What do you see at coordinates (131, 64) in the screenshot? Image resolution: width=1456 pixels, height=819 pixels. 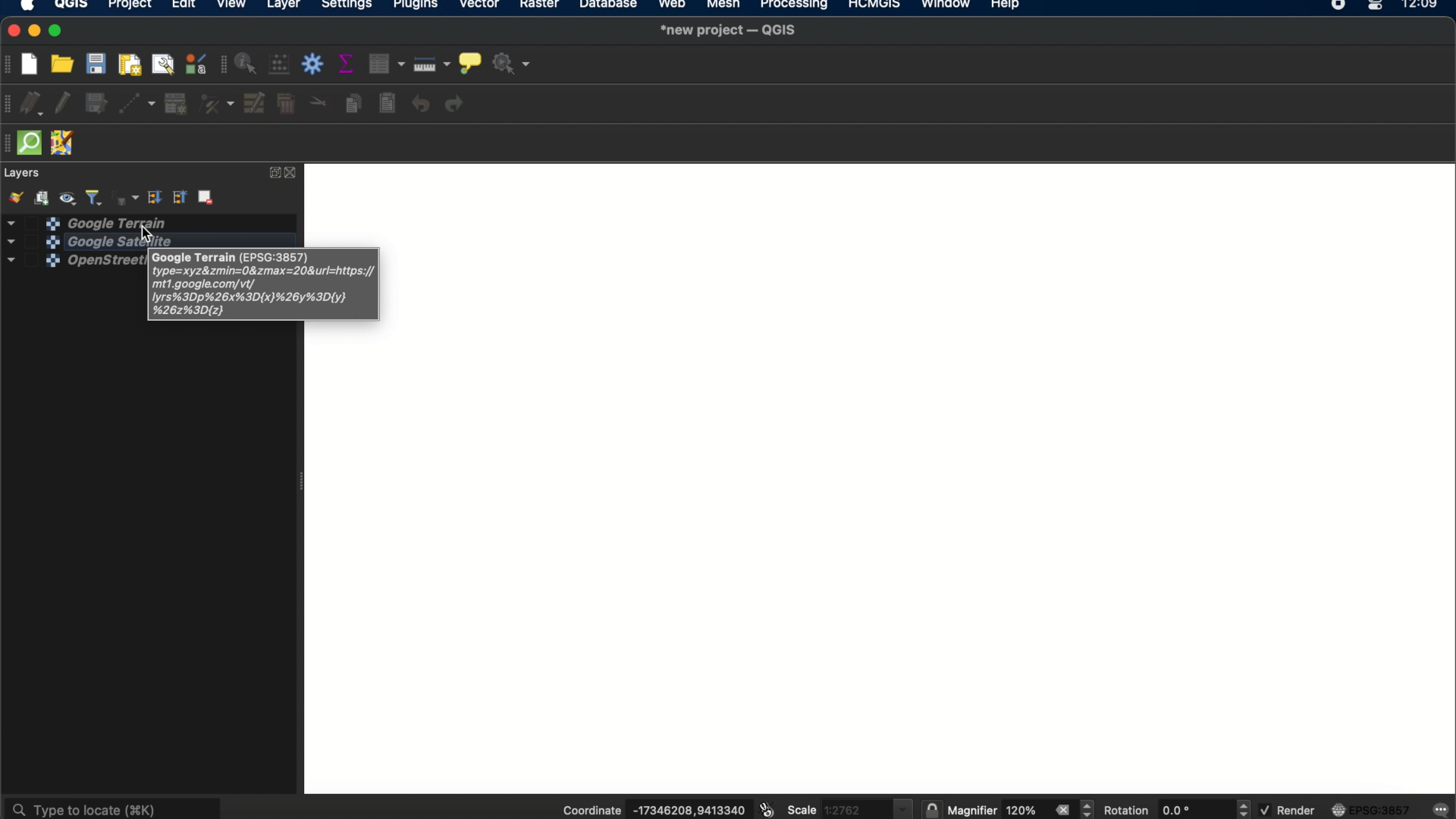 I see `new print layout` at bounding box center [131, 64].